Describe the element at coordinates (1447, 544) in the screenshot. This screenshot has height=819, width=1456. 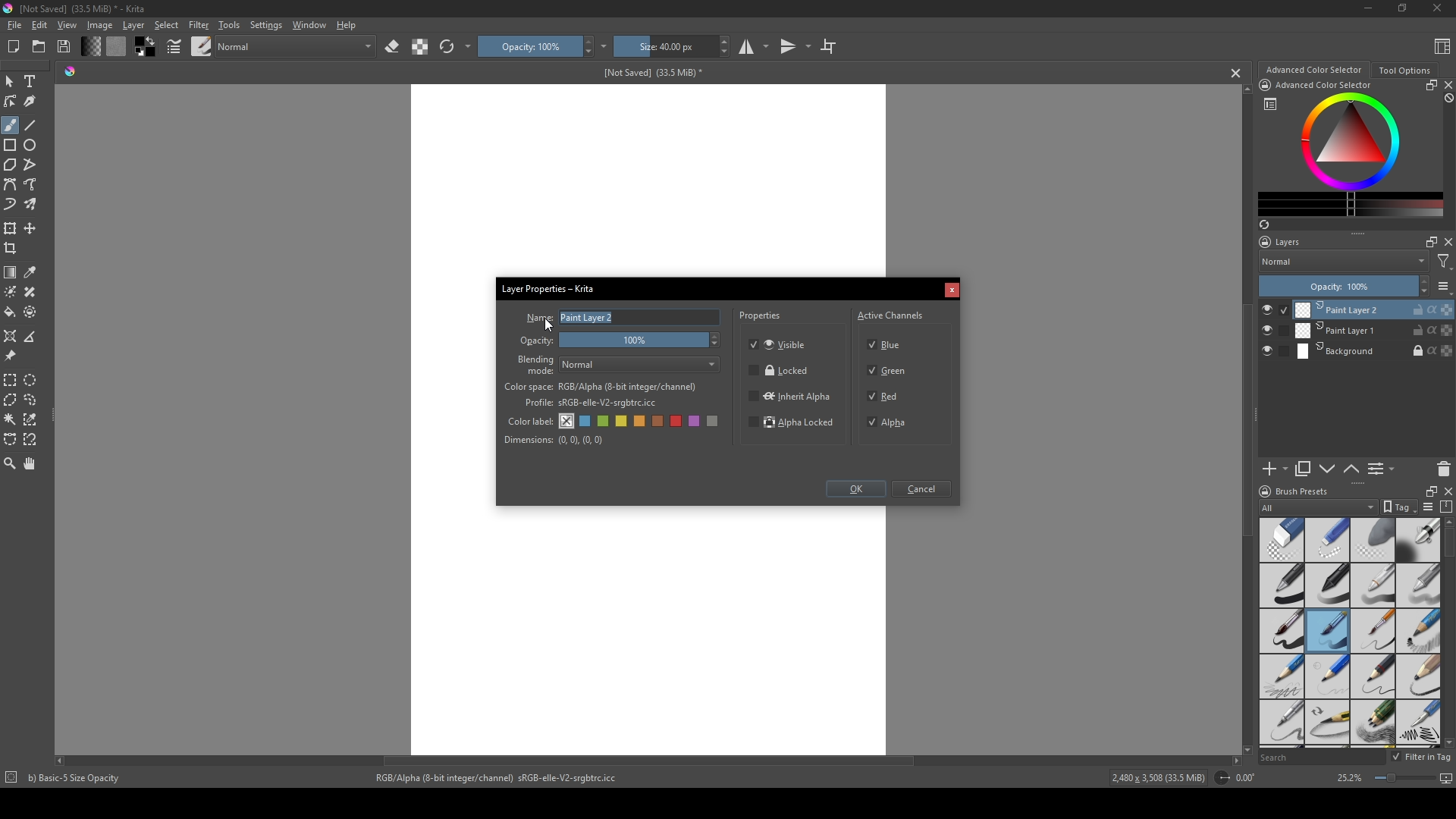
I see `scroll bar` at that location.